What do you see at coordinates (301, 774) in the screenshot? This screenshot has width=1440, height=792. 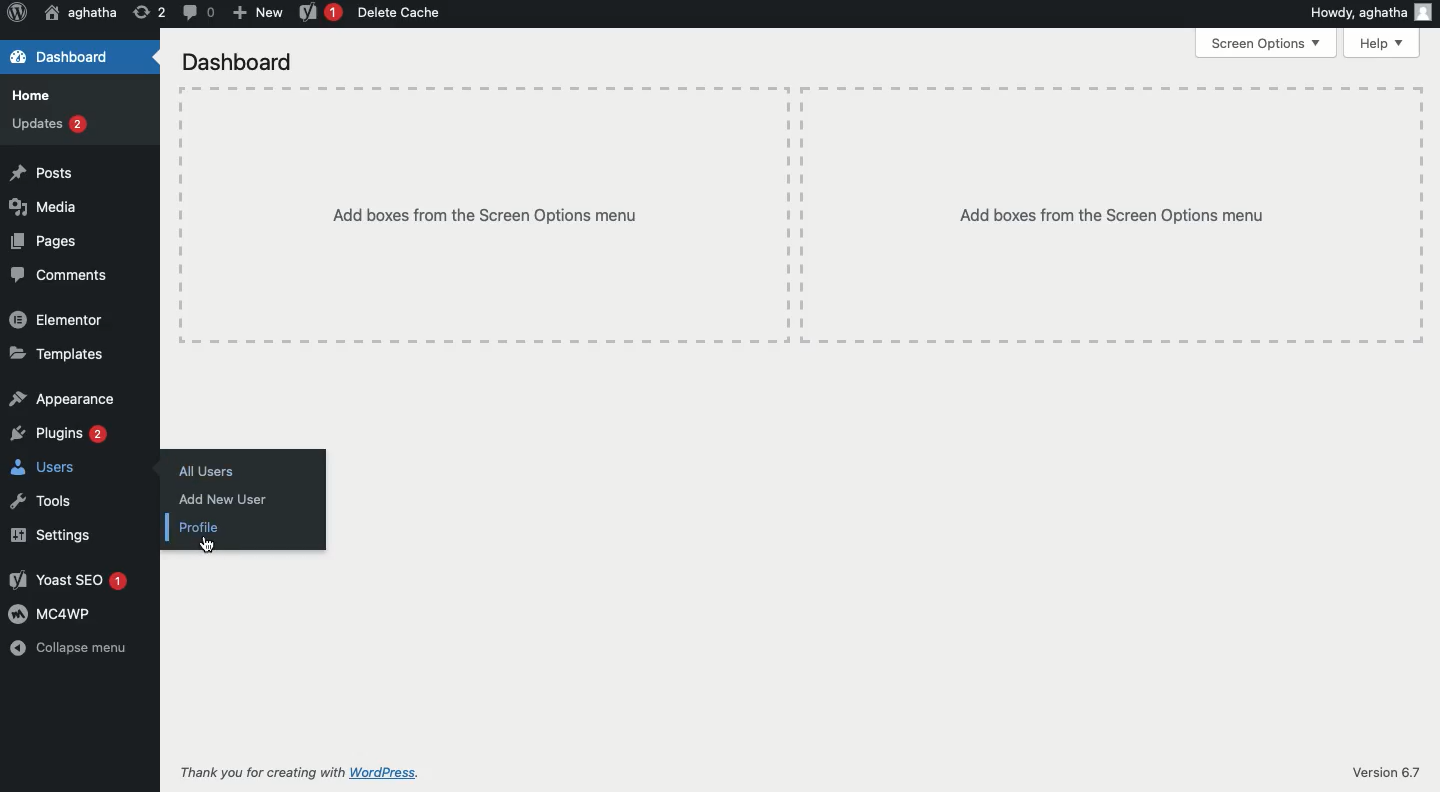 I see `Thank you for creating with WordPress` at bounding box center [301, 774].